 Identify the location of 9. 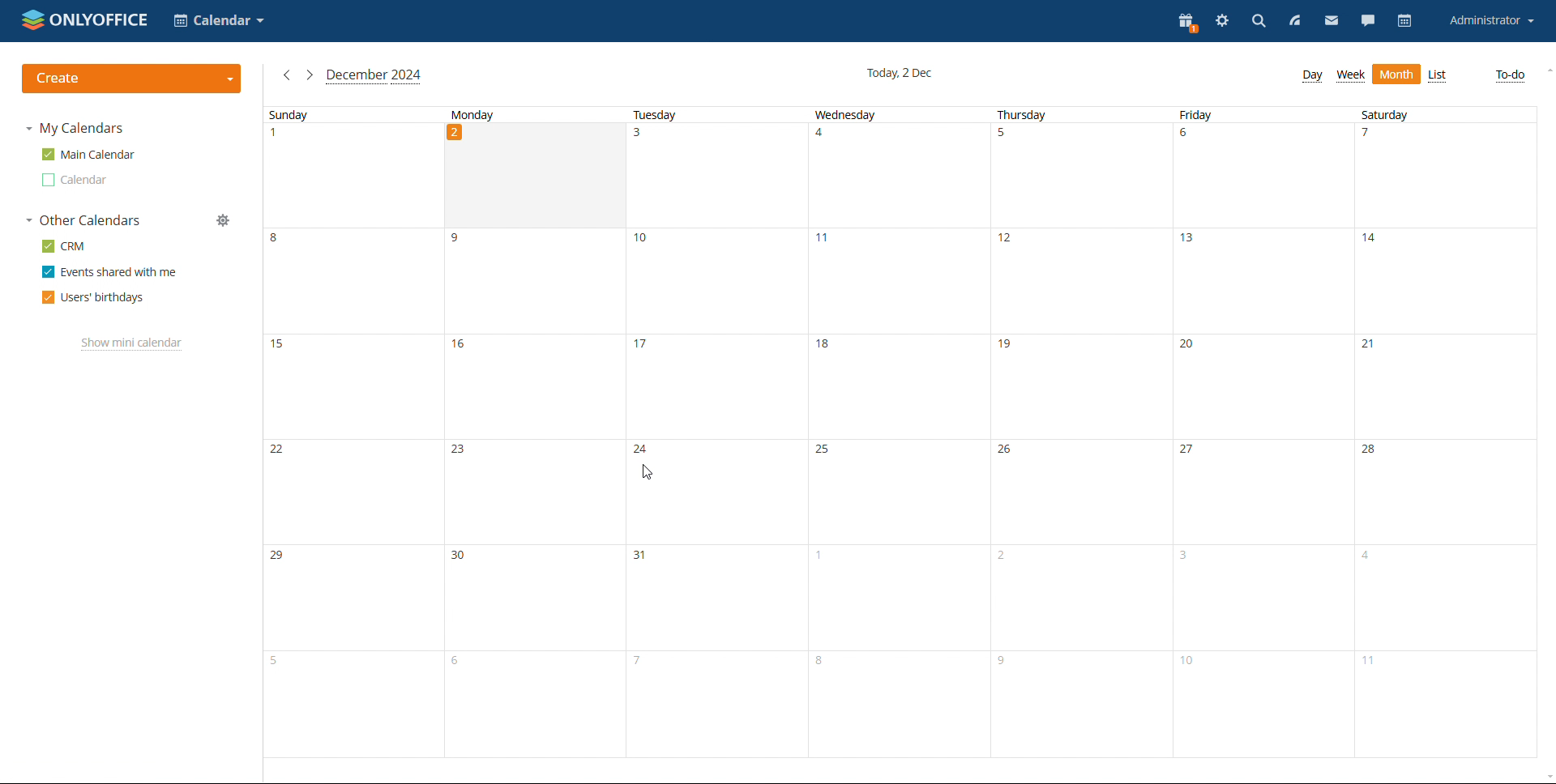
(1005, 663).